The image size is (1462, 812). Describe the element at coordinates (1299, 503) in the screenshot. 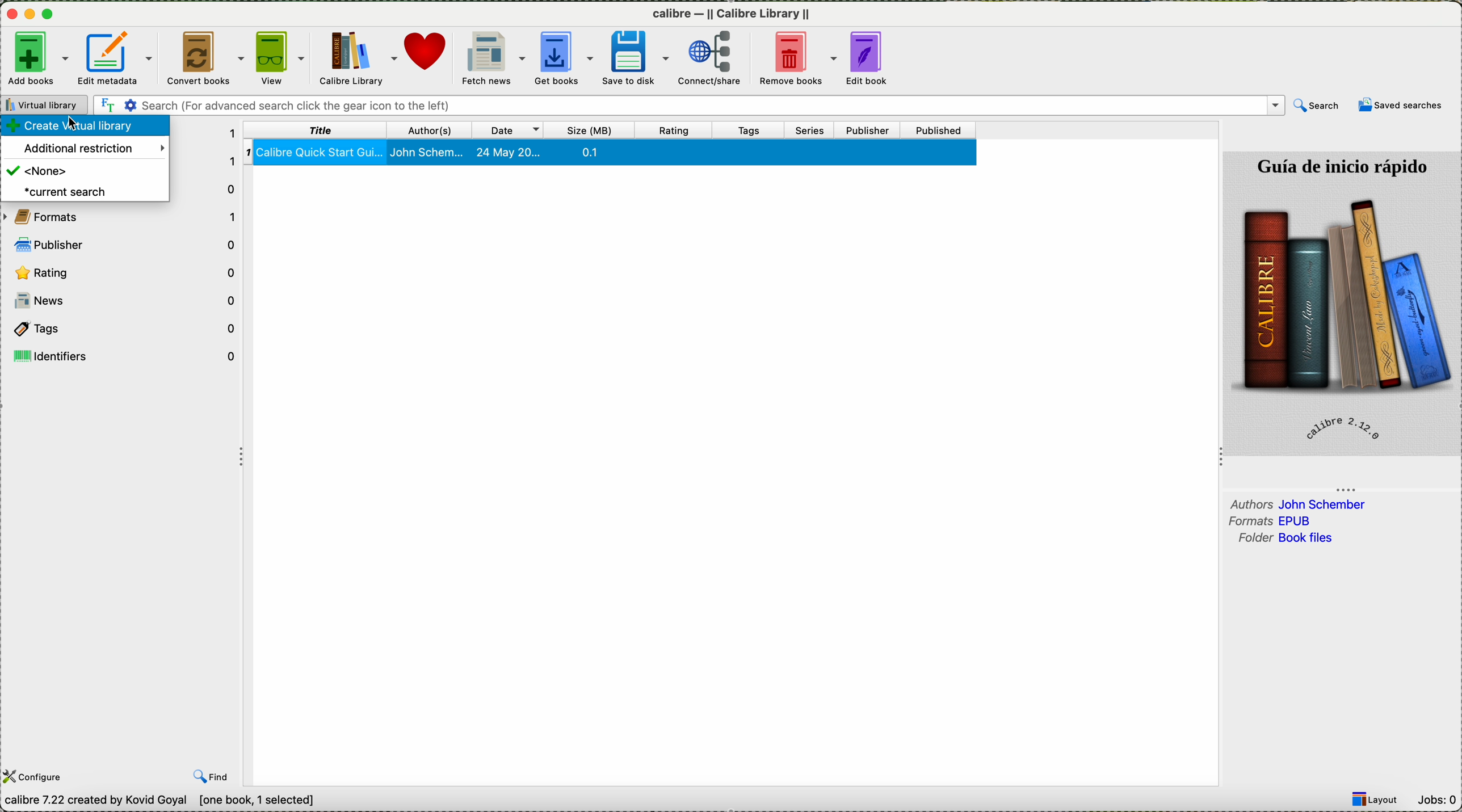

I see `authors` at that location.